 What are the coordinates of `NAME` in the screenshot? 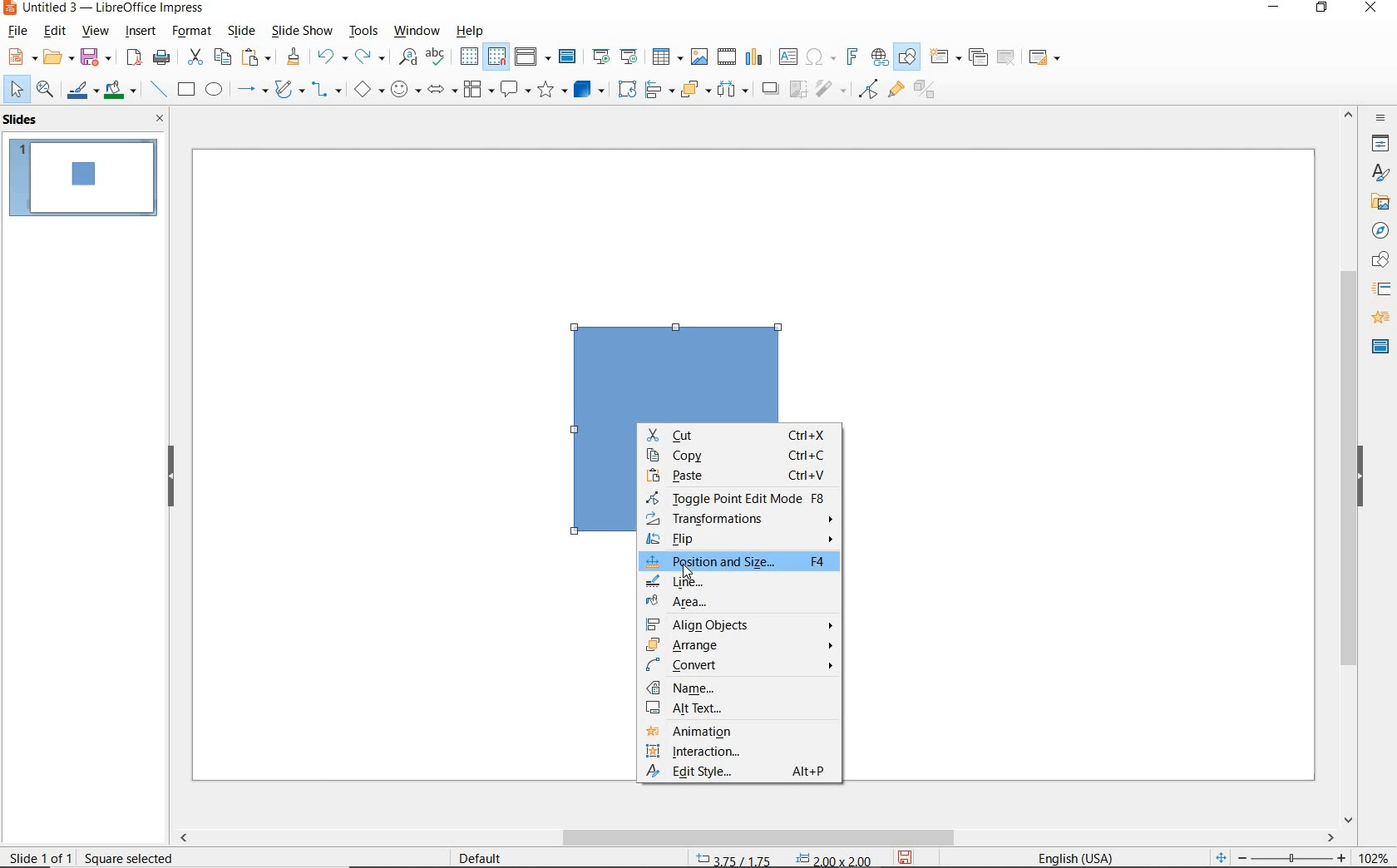 It's located at (744, 688).